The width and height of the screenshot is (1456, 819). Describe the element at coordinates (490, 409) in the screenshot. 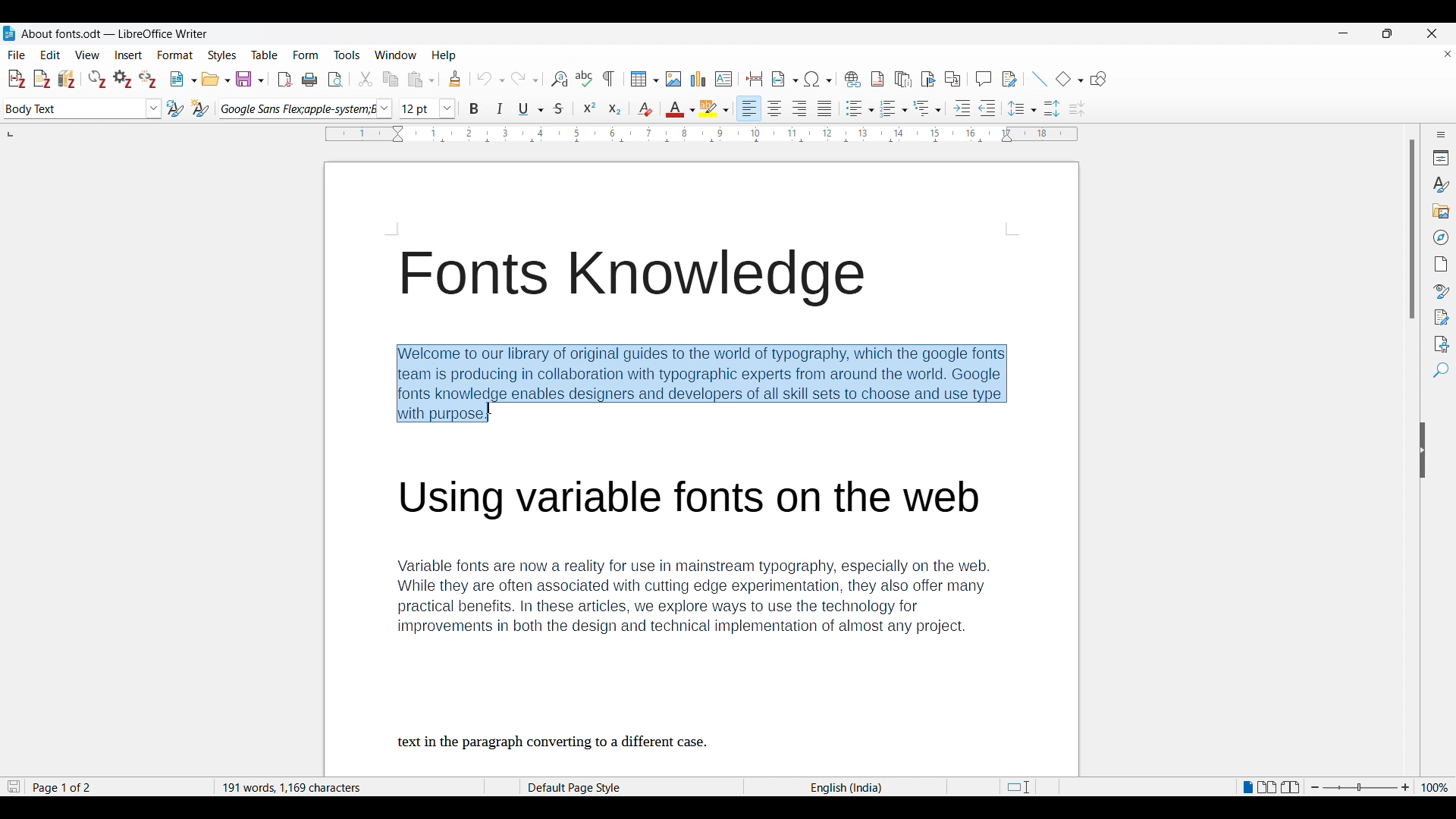

I see `Cursor` at that location.